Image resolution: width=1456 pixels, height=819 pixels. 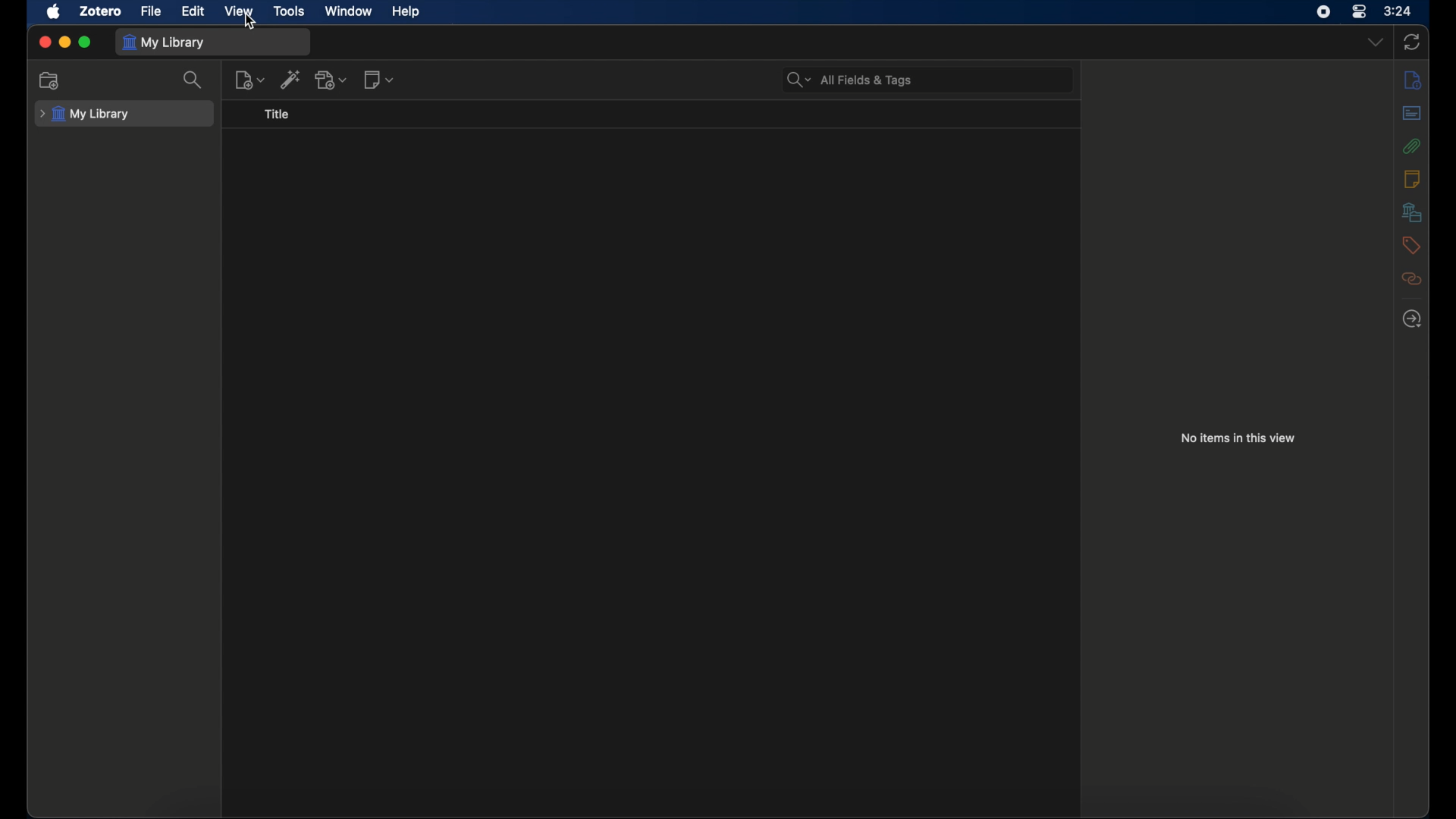 What do you see at coordinates (1409, 244) in the screenshot?
I see `tags` at bounding box center [1409, 244].